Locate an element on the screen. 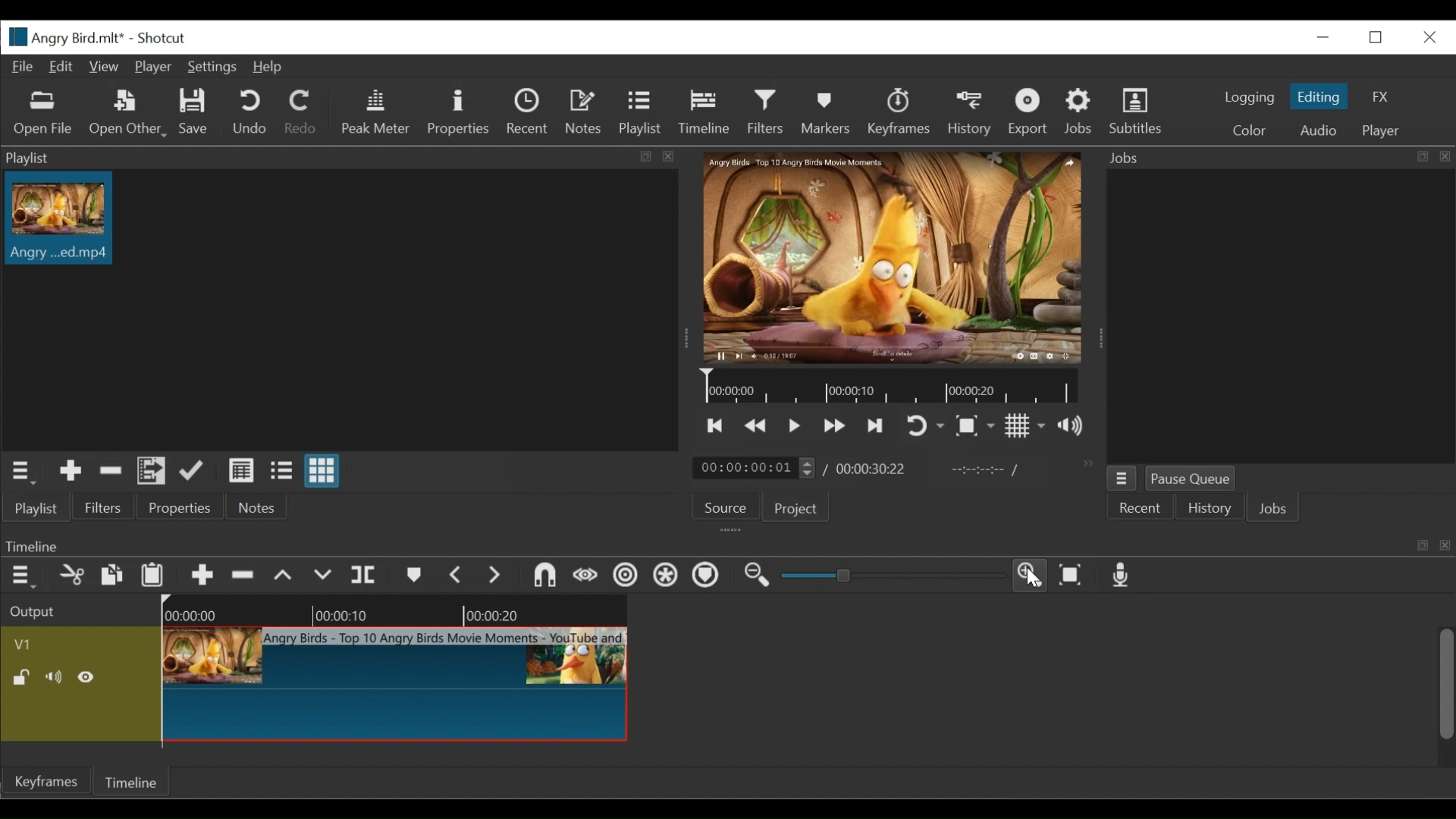 Image resolution: width=1456 pixels, height=819 pixels. play previous quickly is located at coordinates (757, 425).